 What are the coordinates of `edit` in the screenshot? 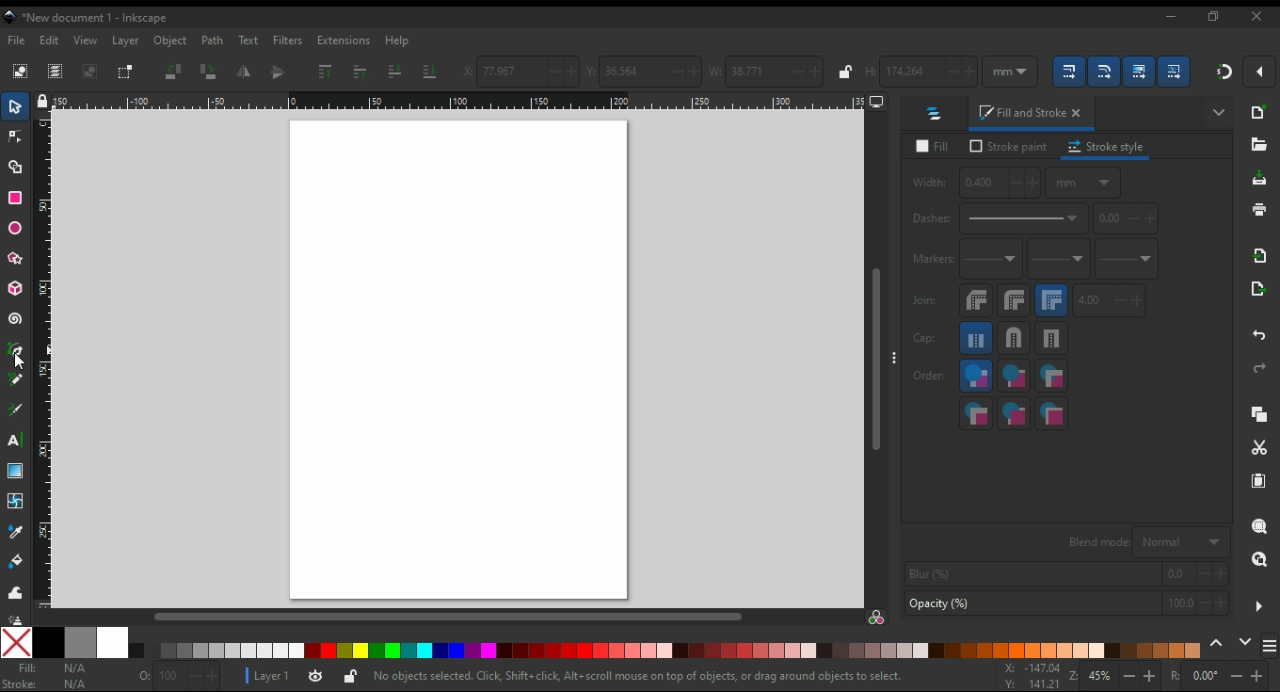 It's located at (51, 41).